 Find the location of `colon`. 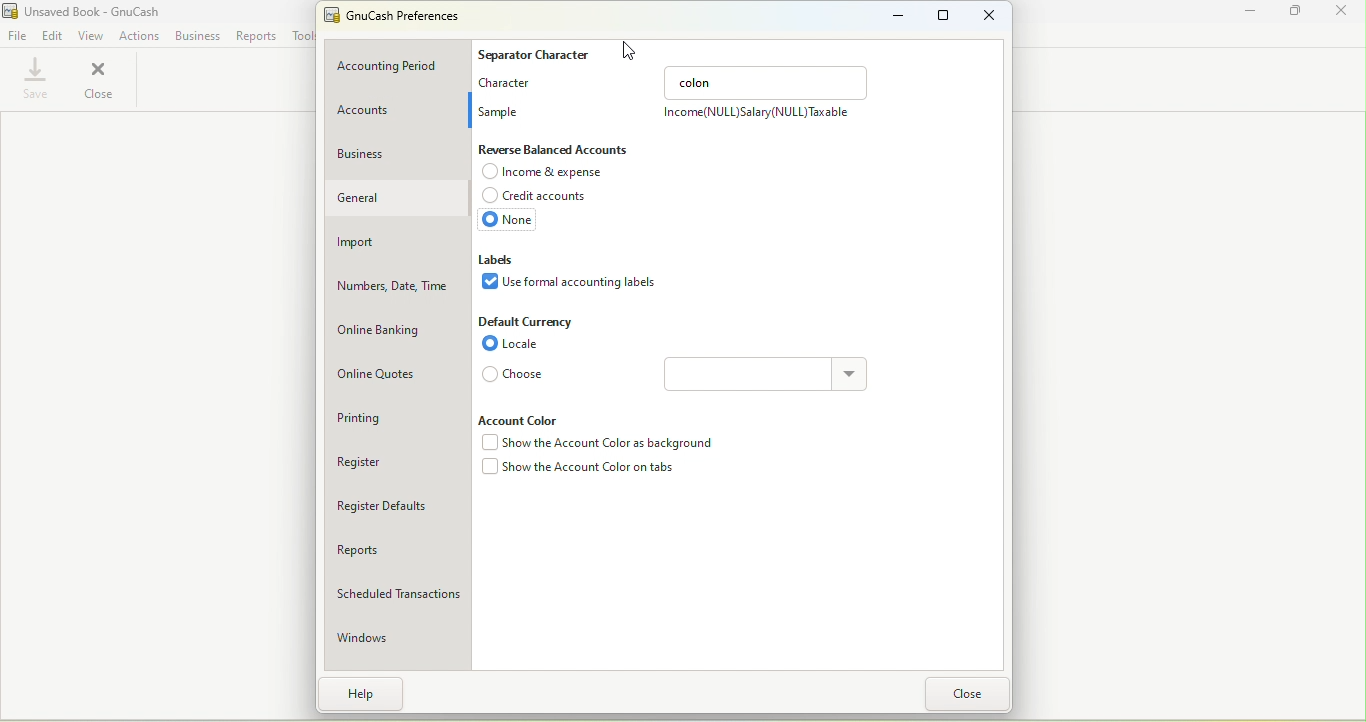

colon is located at coordinates (767, 81).